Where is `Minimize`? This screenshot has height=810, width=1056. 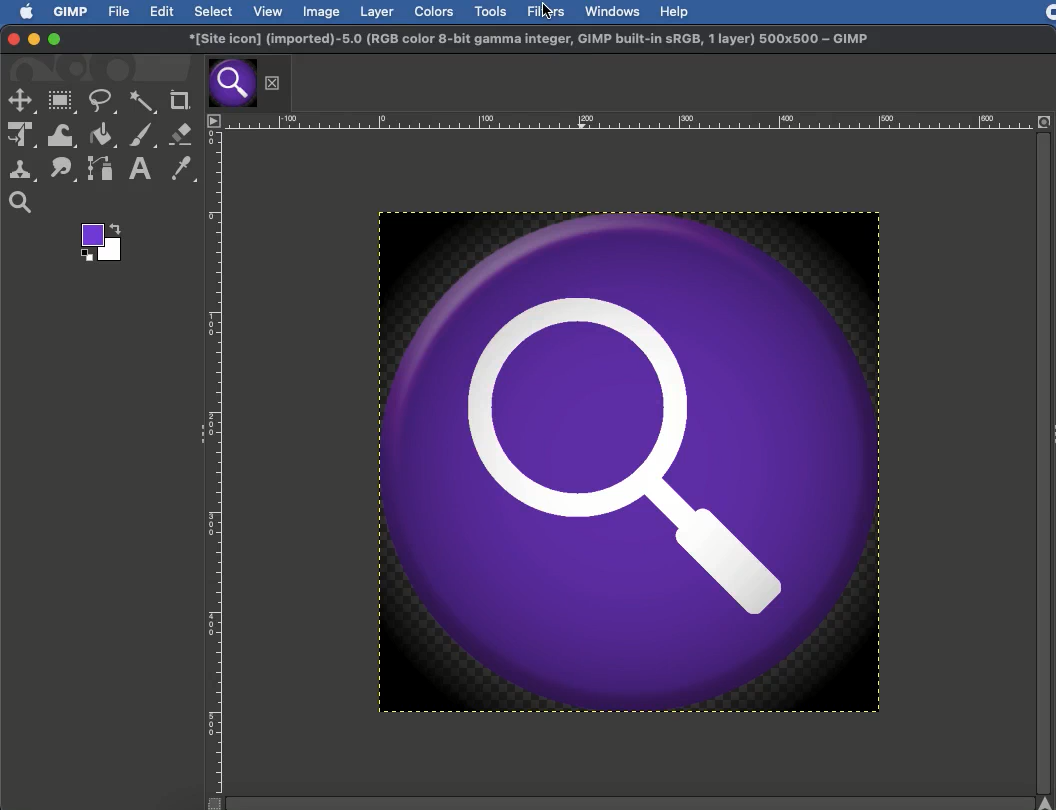
Minimize is located at coordinates (33, 39).